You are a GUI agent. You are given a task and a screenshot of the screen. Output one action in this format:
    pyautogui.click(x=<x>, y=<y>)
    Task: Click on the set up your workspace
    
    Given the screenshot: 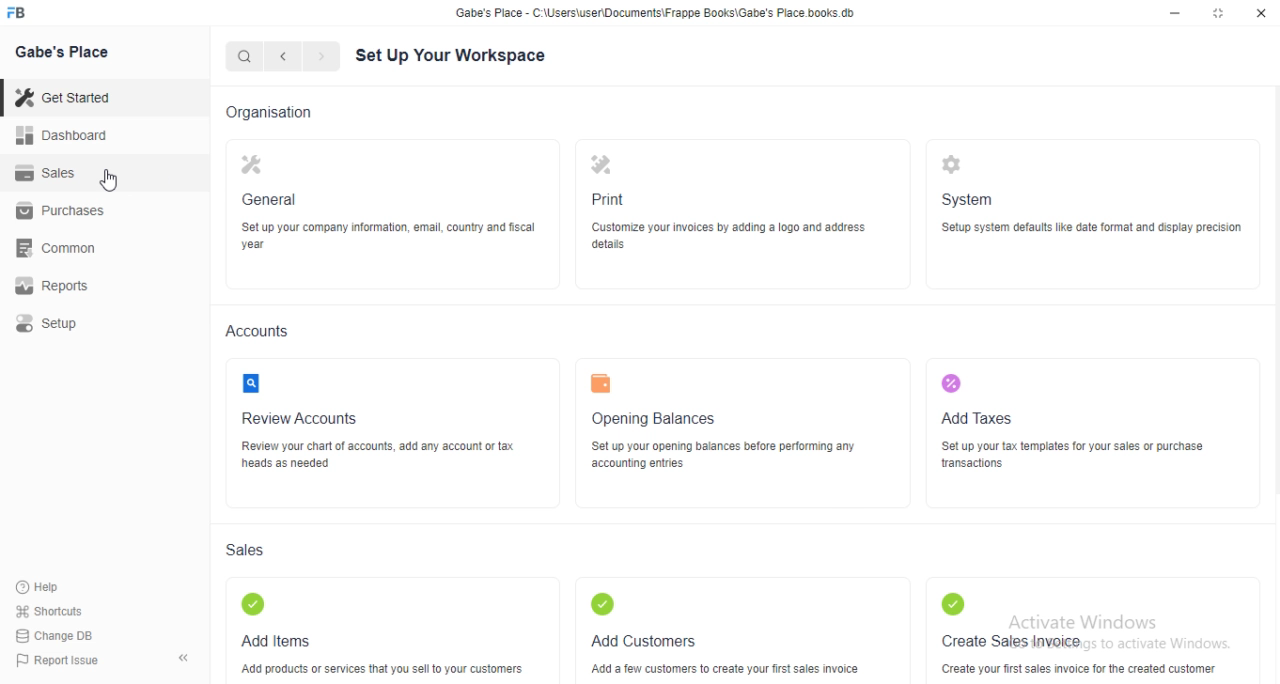 What is the action you would take?
    pyautogui.click(x=451, y=55)
    